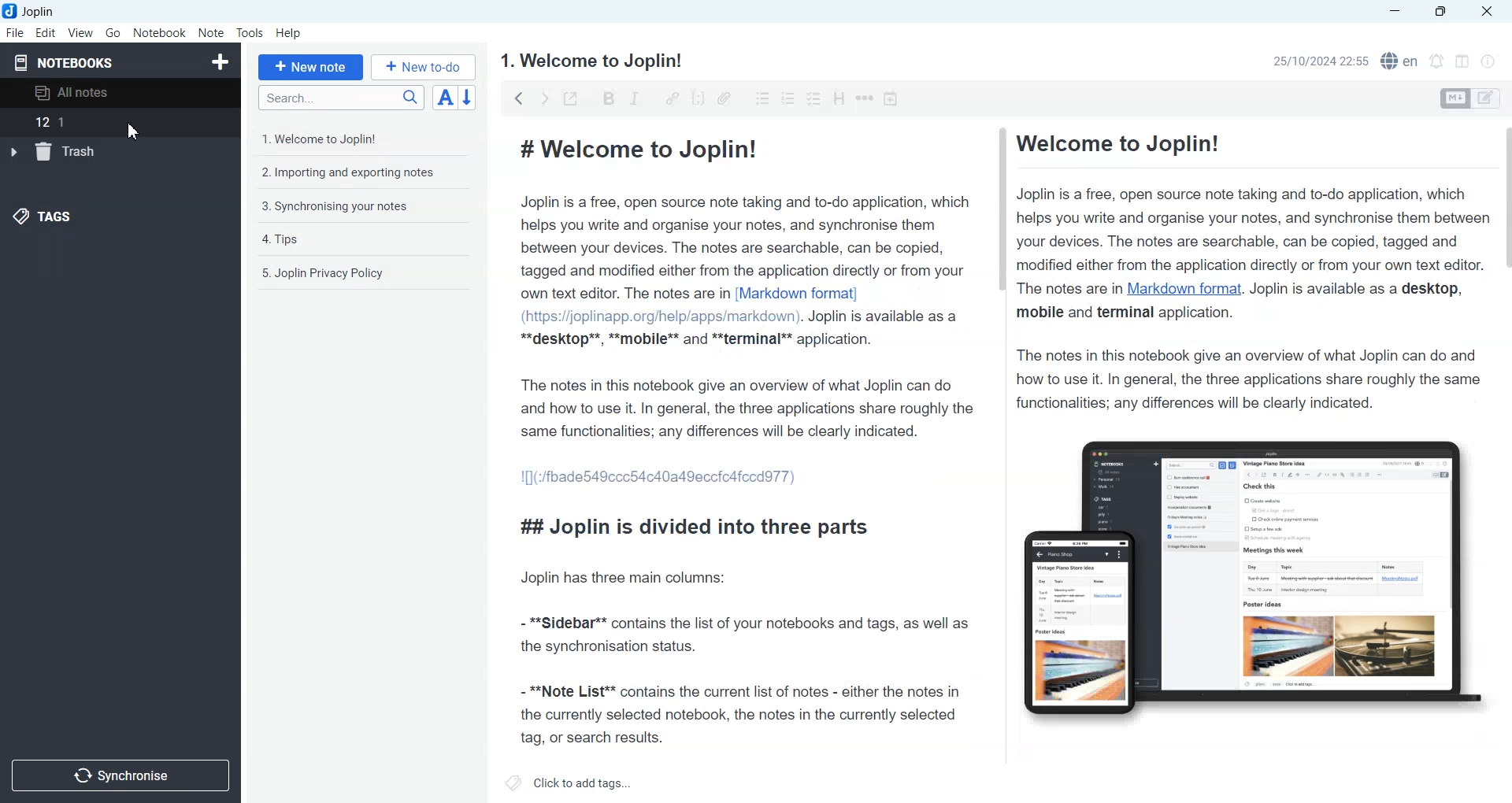  Describe the element at coordinates (64, 62) in the screenshot. I see `Notebooks` at that location.